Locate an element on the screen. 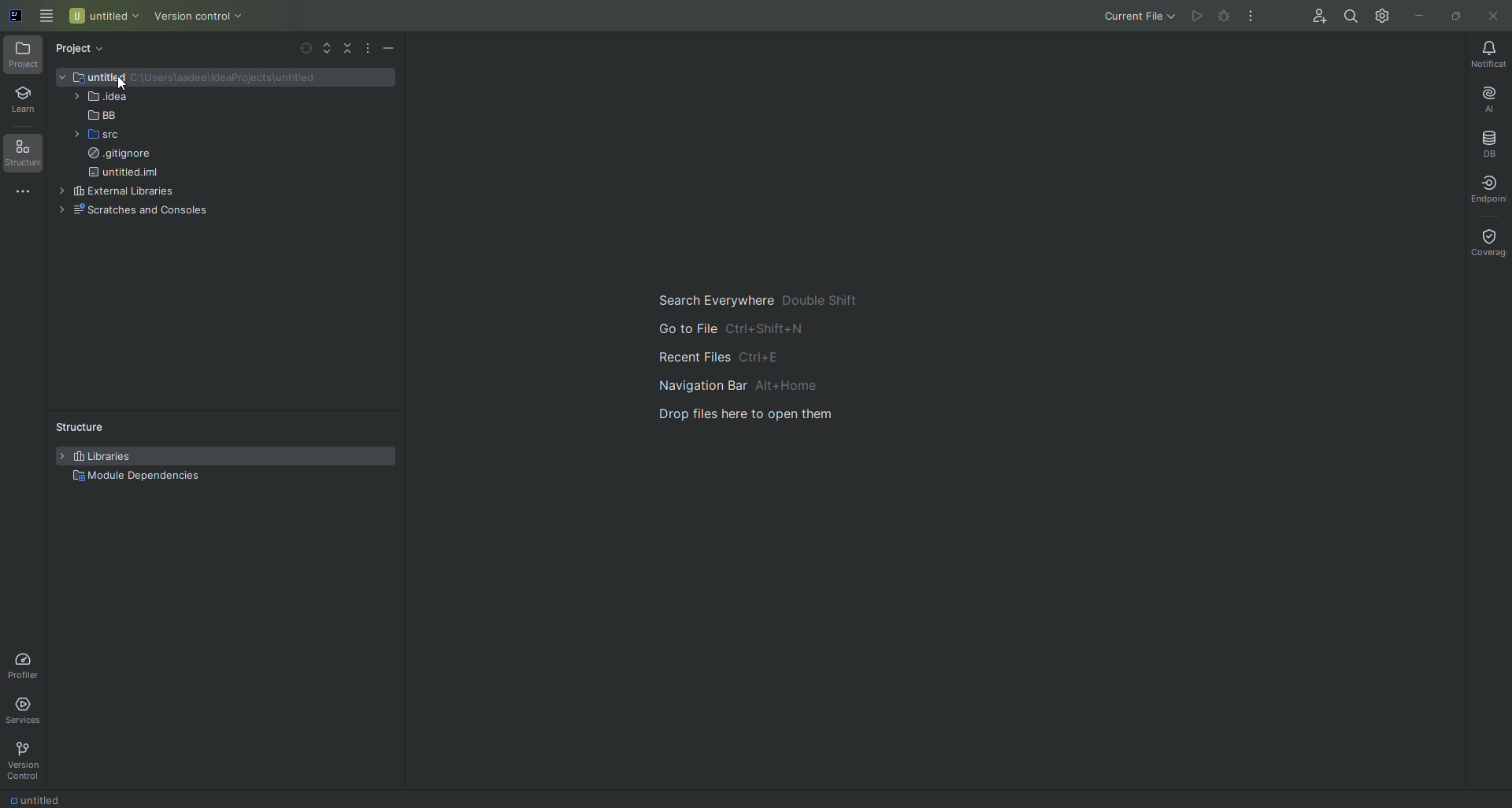 The image size is (1512, 808). Hide is located at coordinates (390, 49).